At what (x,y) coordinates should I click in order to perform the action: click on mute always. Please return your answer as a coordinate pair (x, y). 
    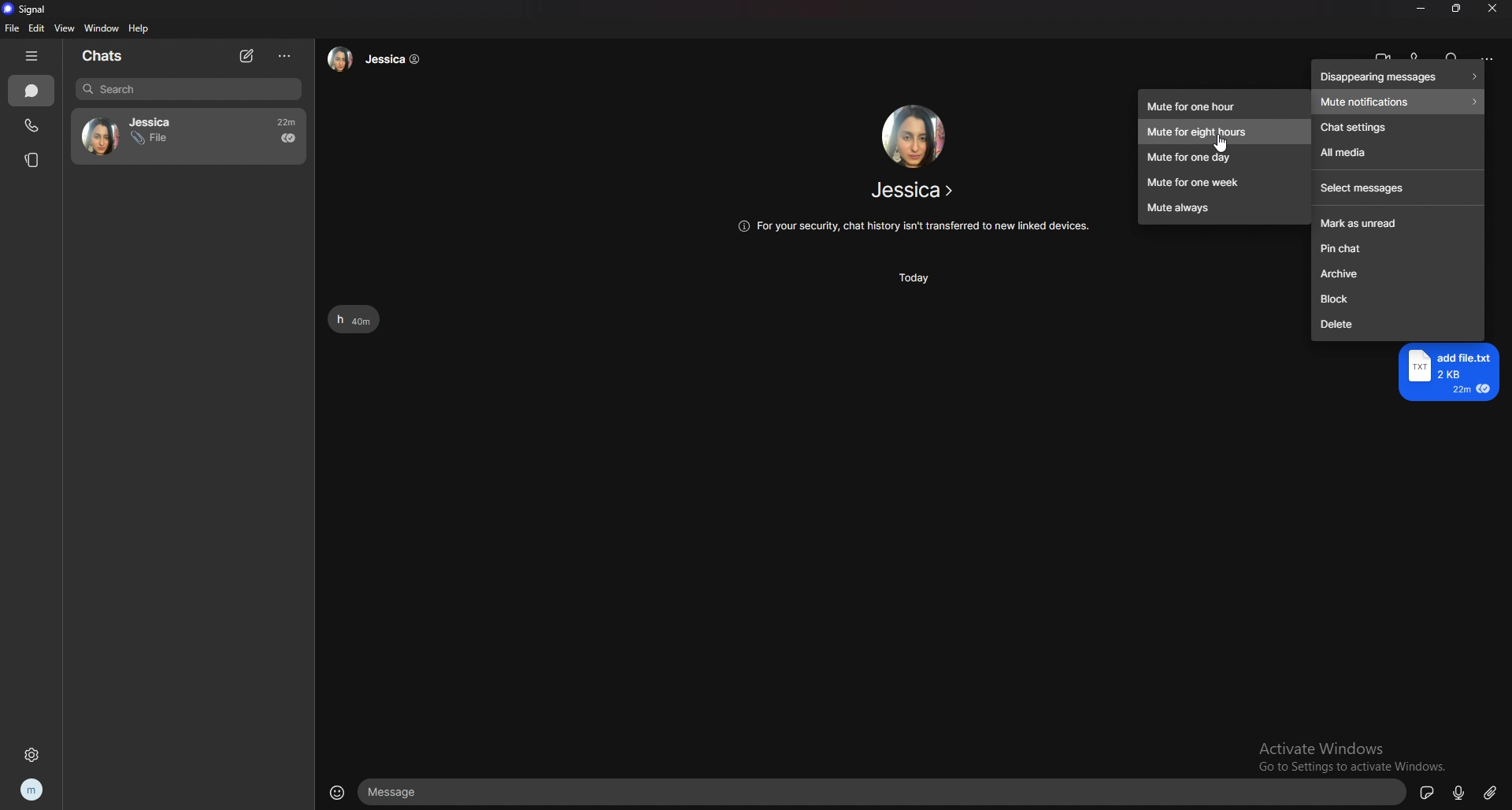
    Looking at the image, I should click on (1225, 208).